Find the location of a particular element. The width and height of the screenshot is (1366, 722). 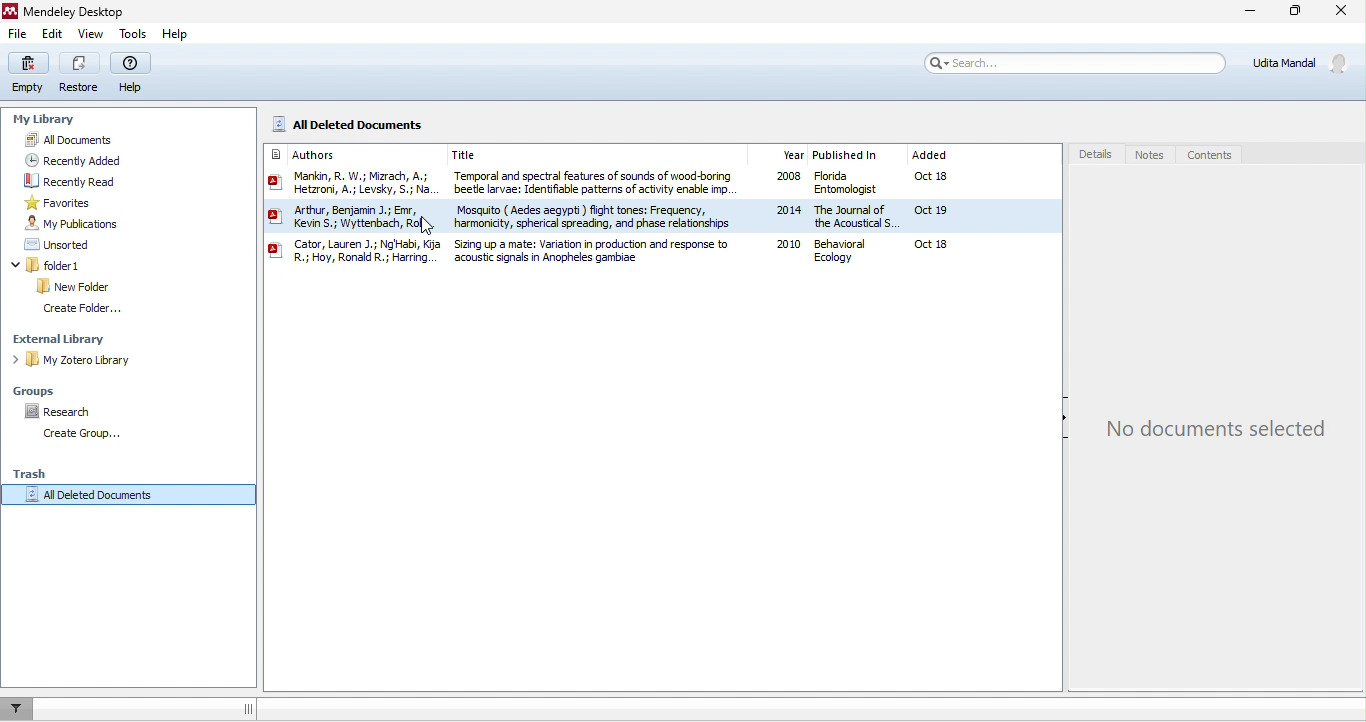

filter is located at coordinates (15, 708).